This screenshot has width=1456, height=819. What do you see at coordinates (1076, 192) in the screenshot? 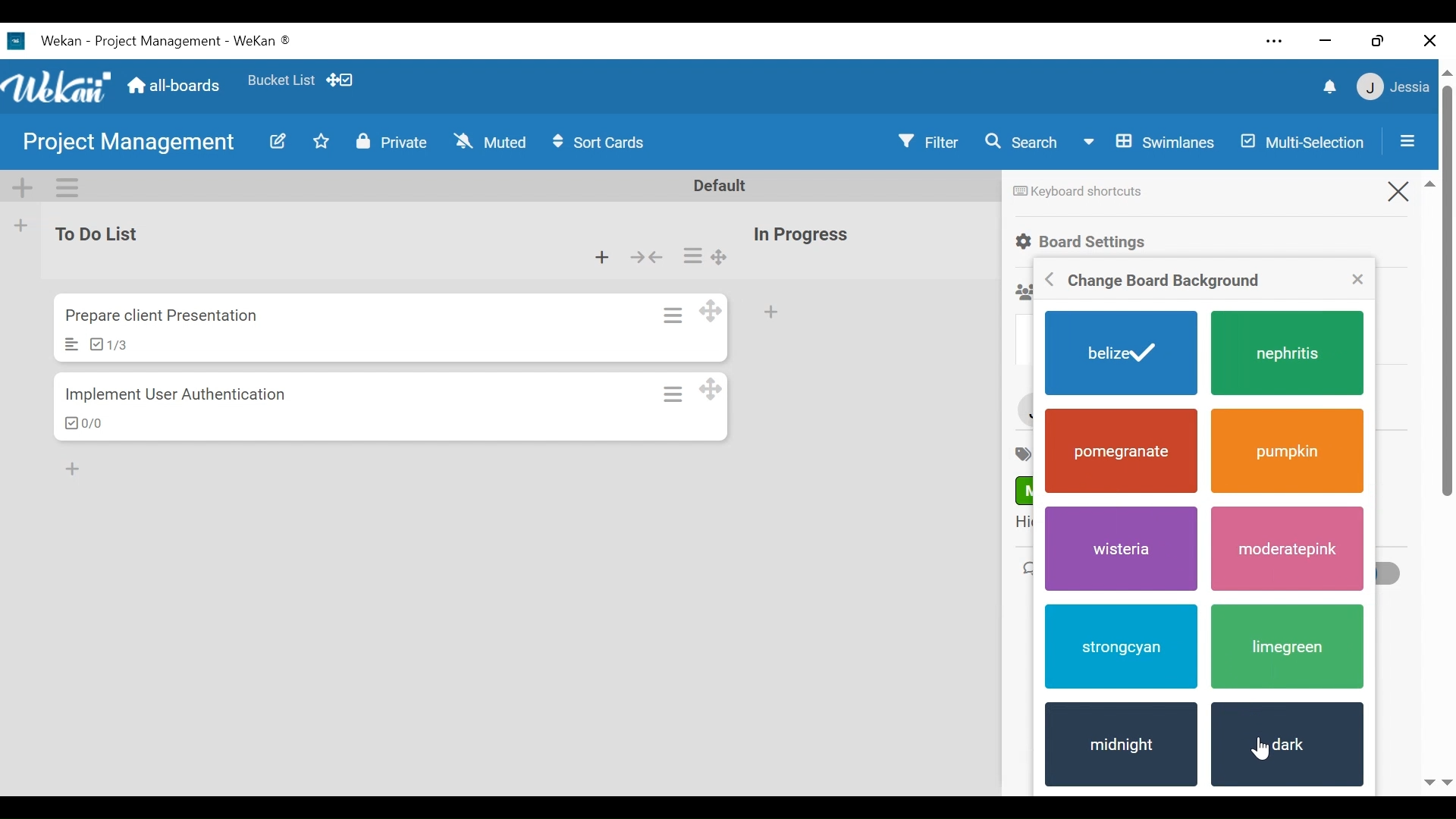
I see `Keyboard shortcuts` at bounding box center [1076, 192].